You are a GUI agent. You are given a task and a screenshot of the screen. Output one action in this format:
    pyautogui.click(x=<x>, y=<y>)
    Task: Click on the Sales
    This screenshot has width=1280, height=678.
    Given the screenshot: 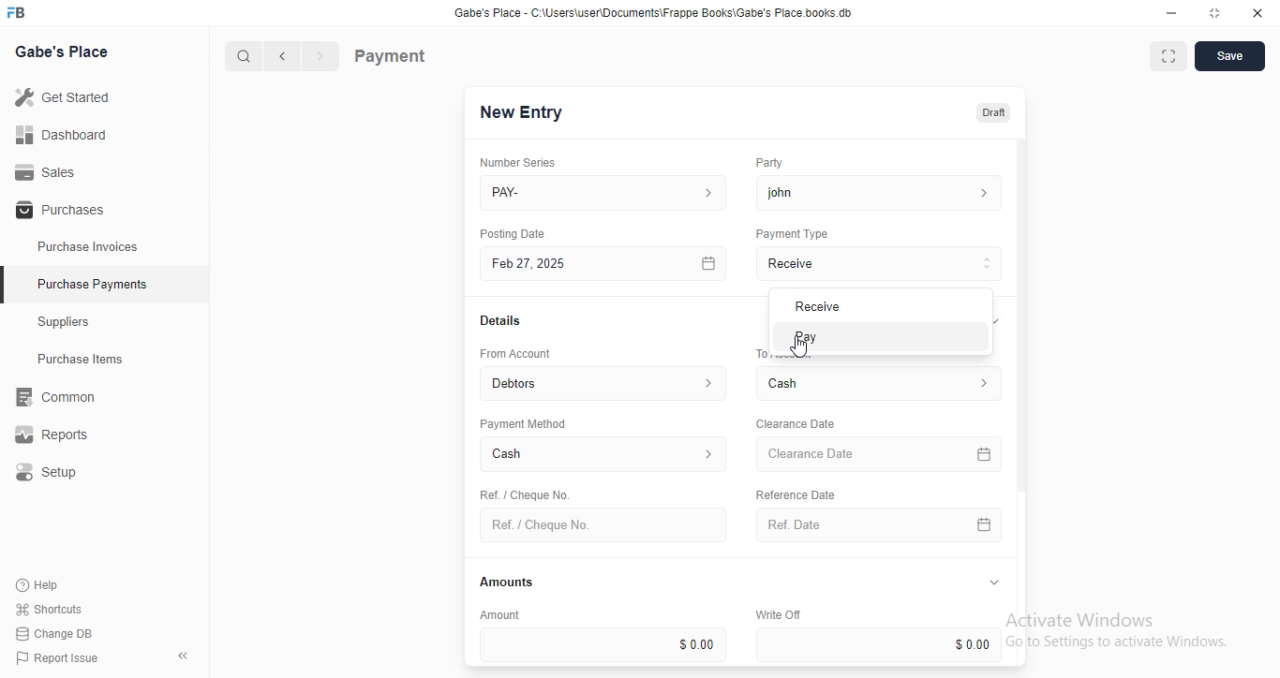 What is the action you would take?
    pyautogui.click(x=45, y=171)
    